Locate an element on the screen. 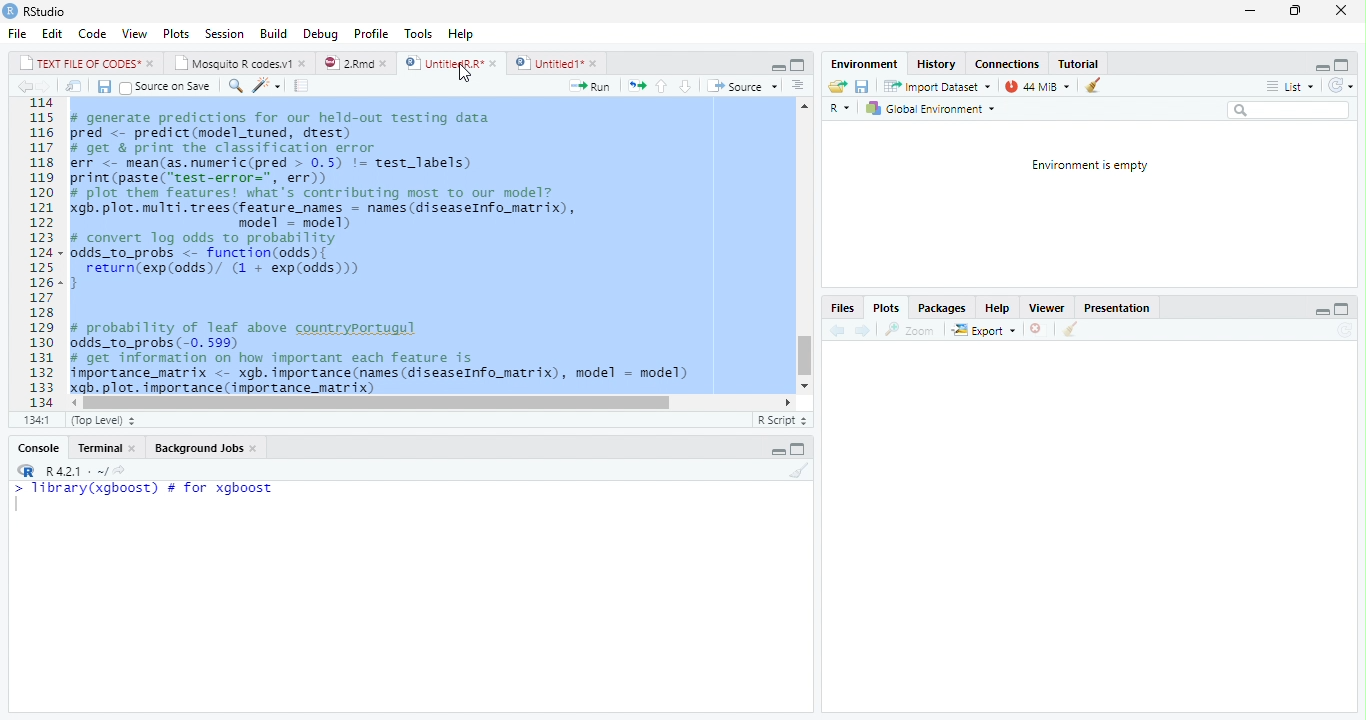 This screenshot has height=720, width=1366. Maximize is located at coordinates (1341, 307).